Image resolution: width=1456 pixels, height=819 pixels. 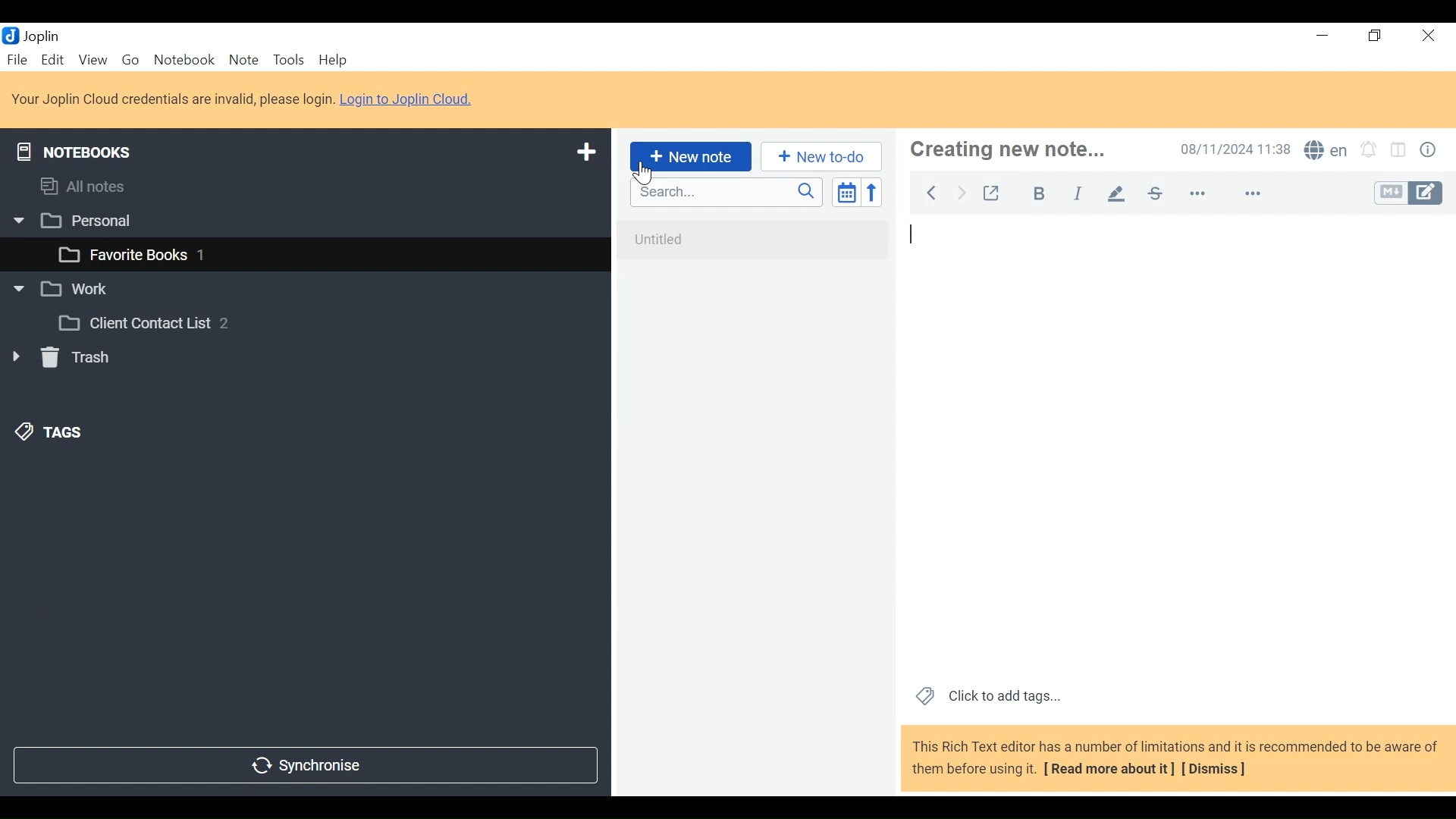 What do you see at coordinates (52, 431) in the screenshot?
I see `Tags` at bounding box center [52, 431].